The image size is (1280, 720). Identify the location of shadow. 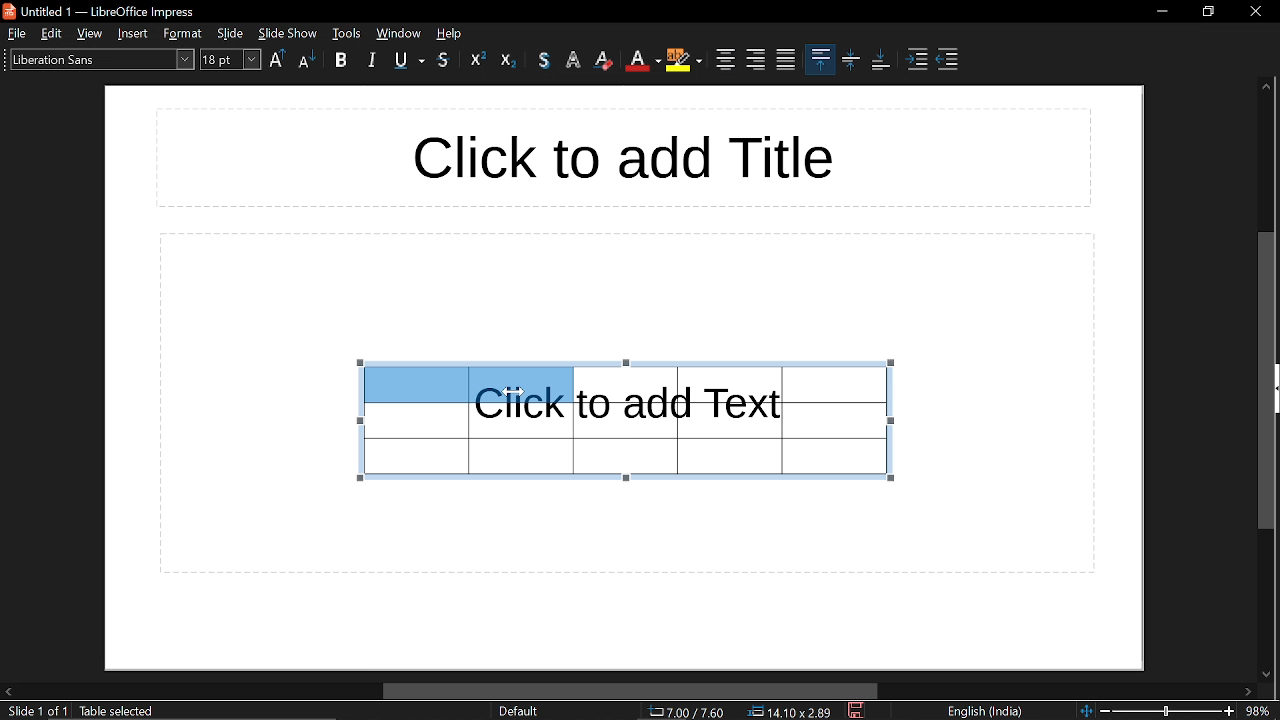
(544, 60).